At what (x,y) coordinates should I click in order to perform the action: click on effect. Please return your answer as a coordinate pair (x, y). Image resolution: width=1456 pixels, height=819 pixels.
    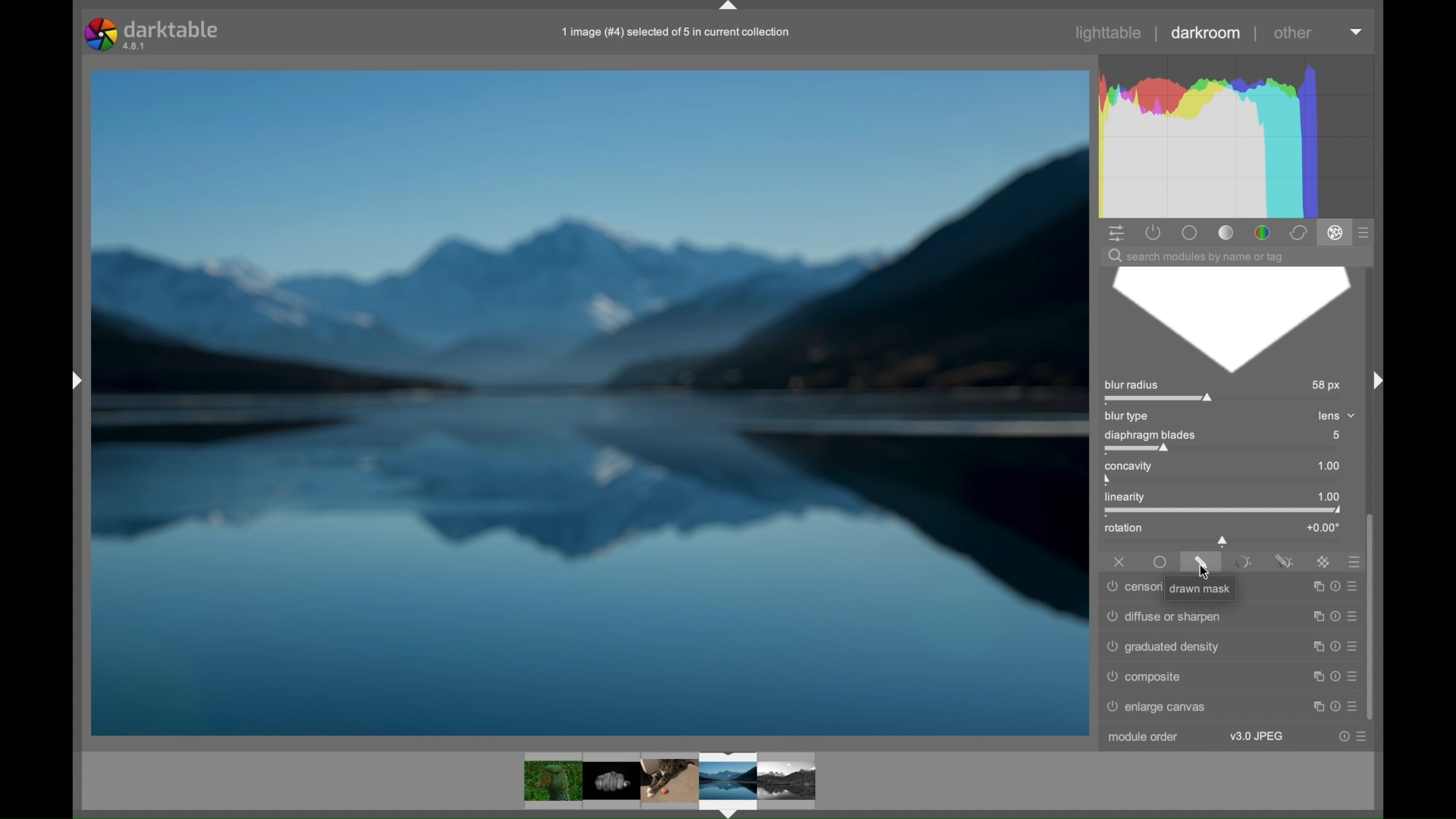
    Looking at the image, I should click on (1335, 234).